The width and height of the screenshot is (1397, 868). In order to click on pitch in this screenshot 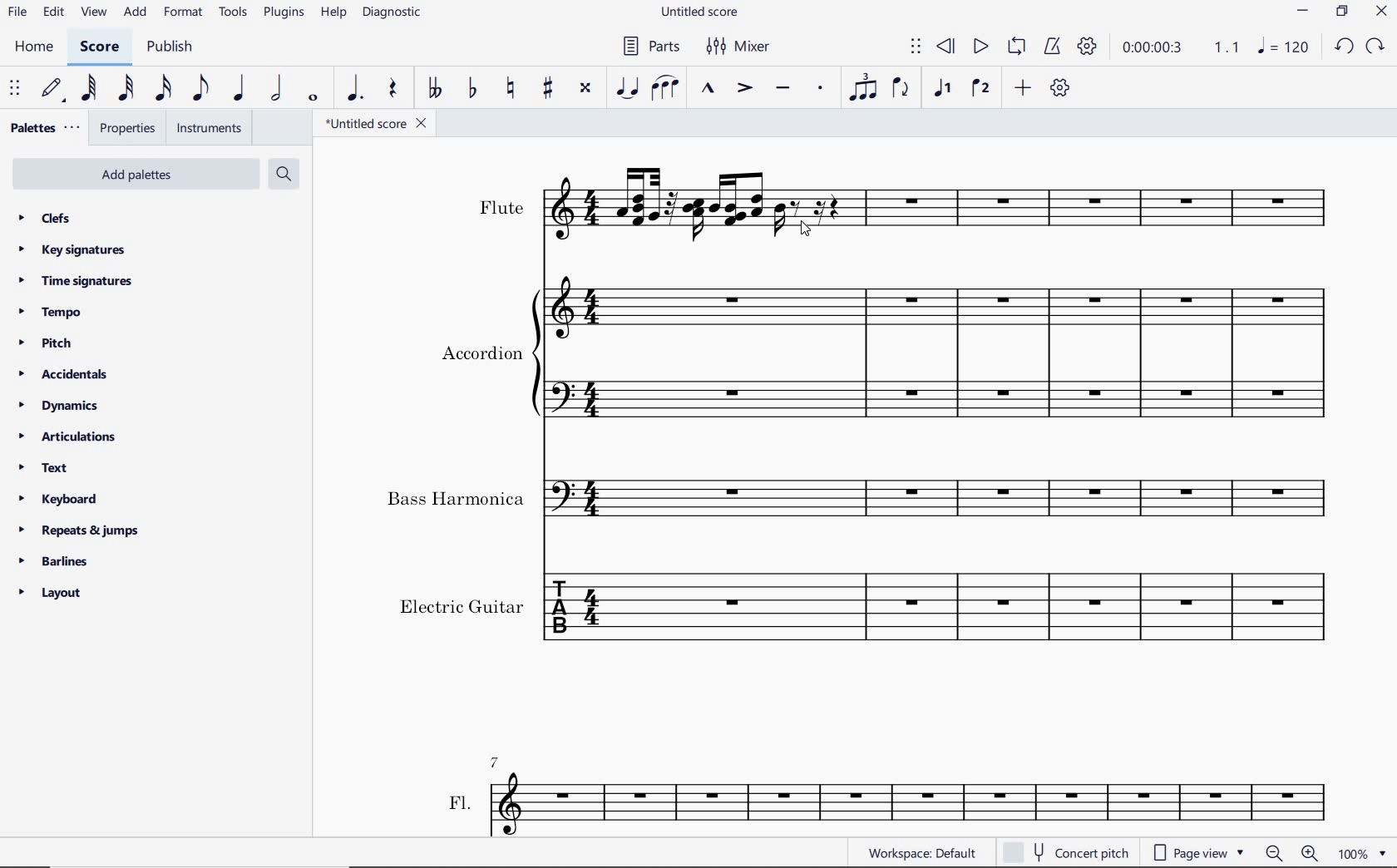, I will do `click(43, 342)`.